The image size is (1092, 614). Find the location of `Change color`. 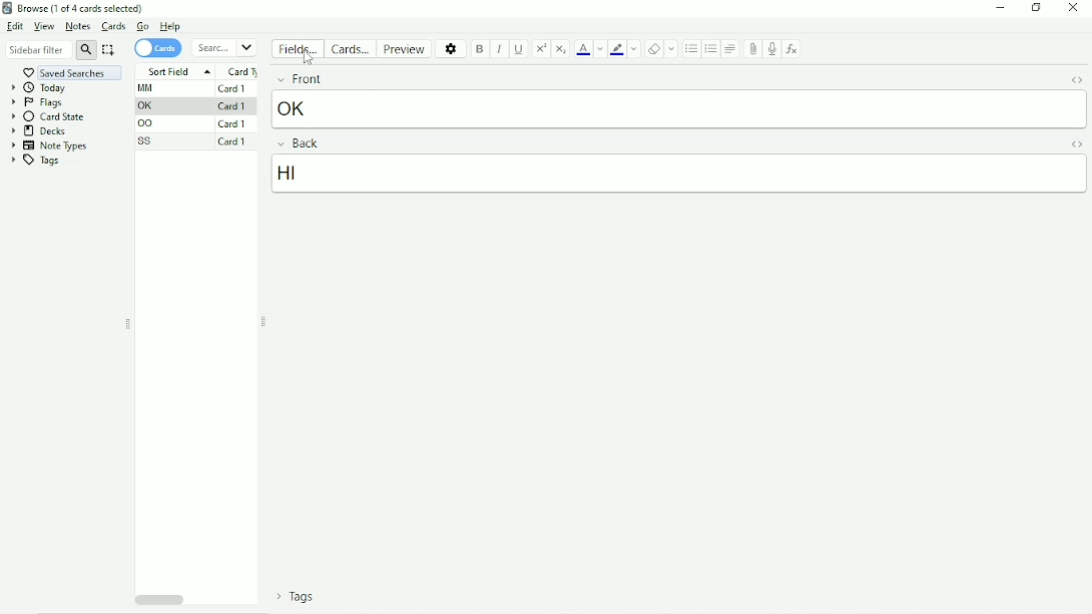

Change color is located at coordinates (600, 49).